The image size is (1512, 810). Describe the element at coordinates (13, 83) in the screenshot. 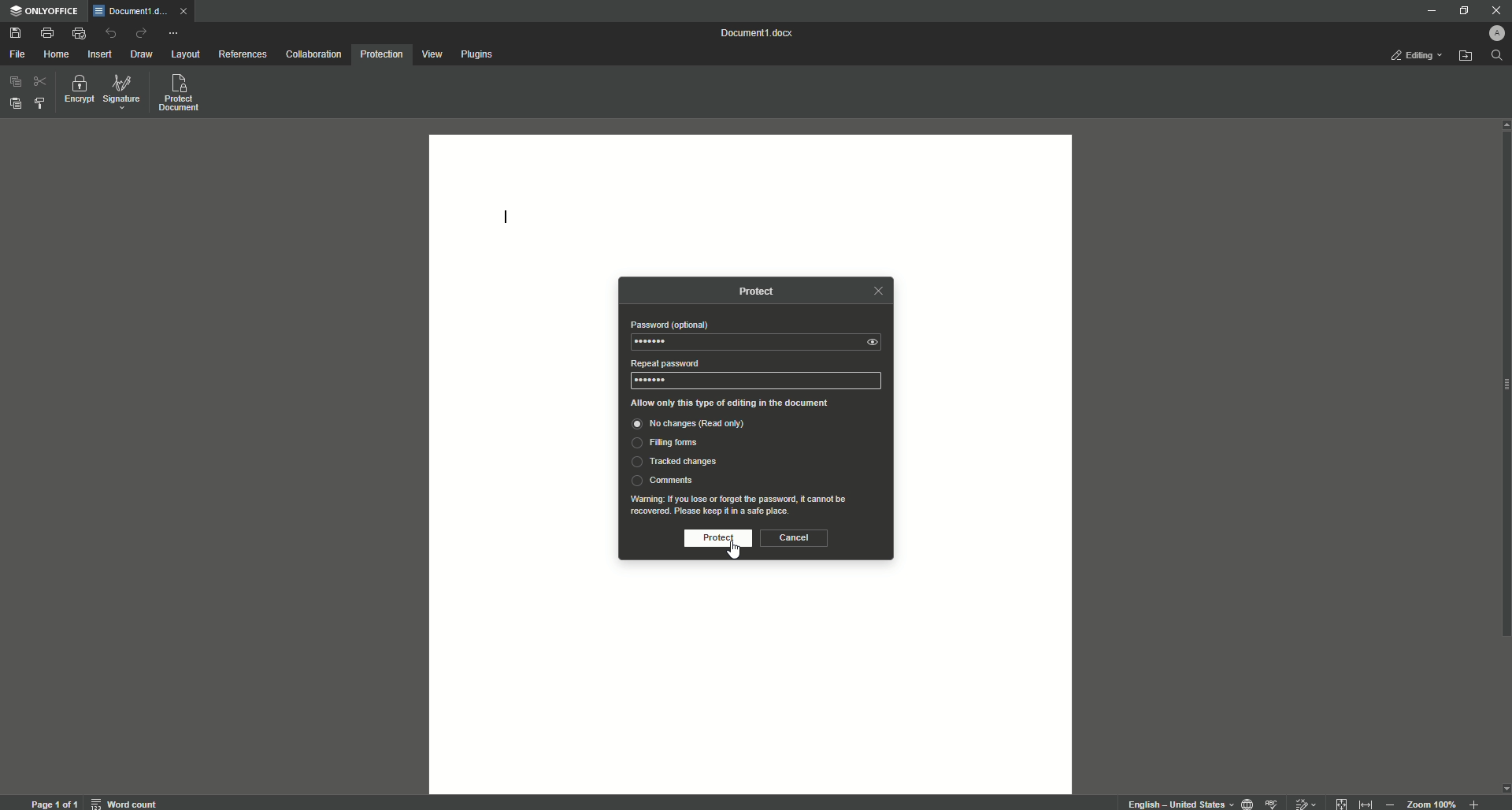

I see `Copy` at that location.